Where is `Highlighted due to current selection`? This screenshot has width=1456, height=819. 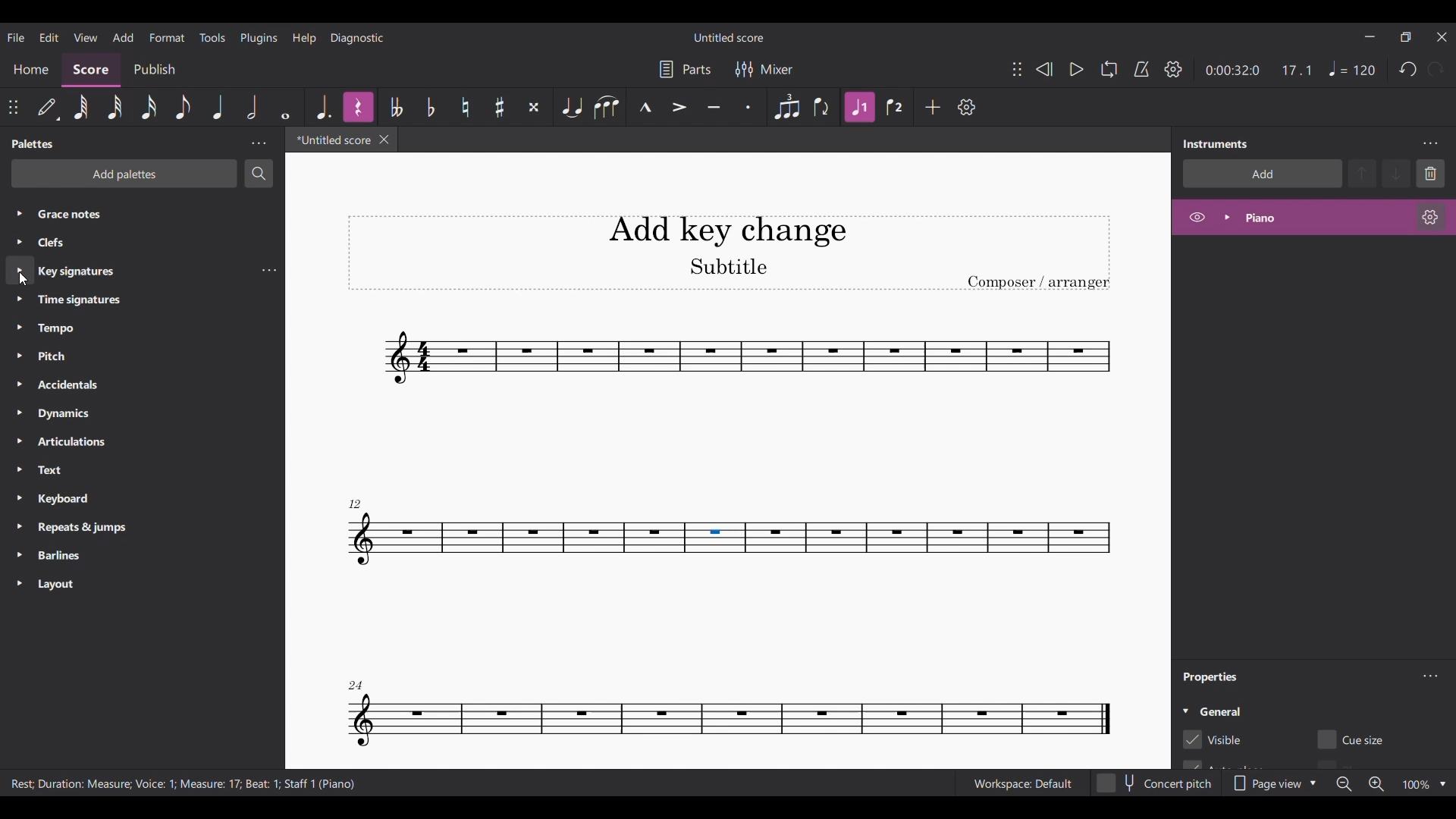
Highlighted due to current selection is located at coordinates (358, 107).